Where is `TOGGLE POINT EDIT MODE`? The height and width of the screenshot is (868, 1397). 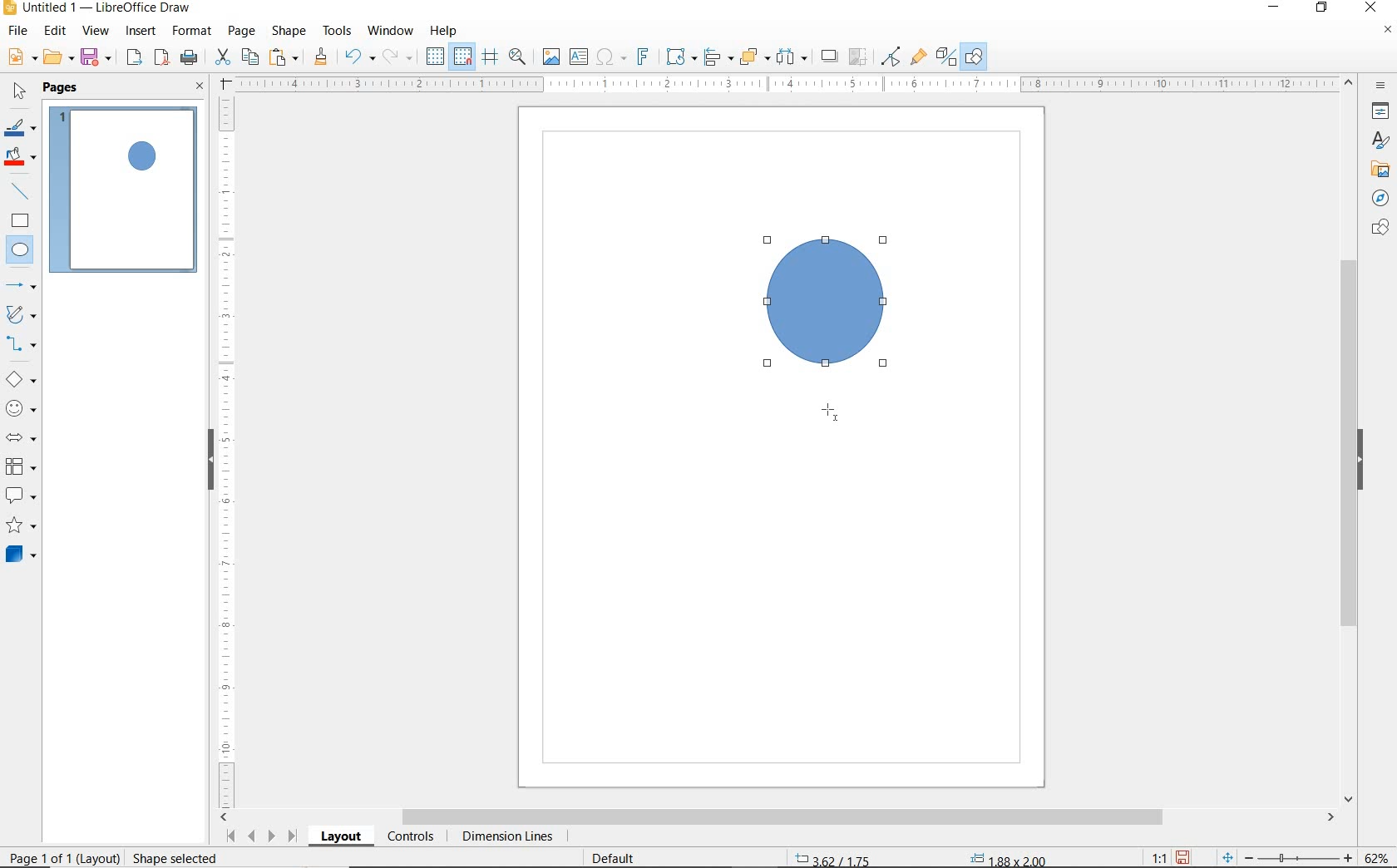
TOGGLE POINT EDIT MODE is located at coordinates (891, 57).